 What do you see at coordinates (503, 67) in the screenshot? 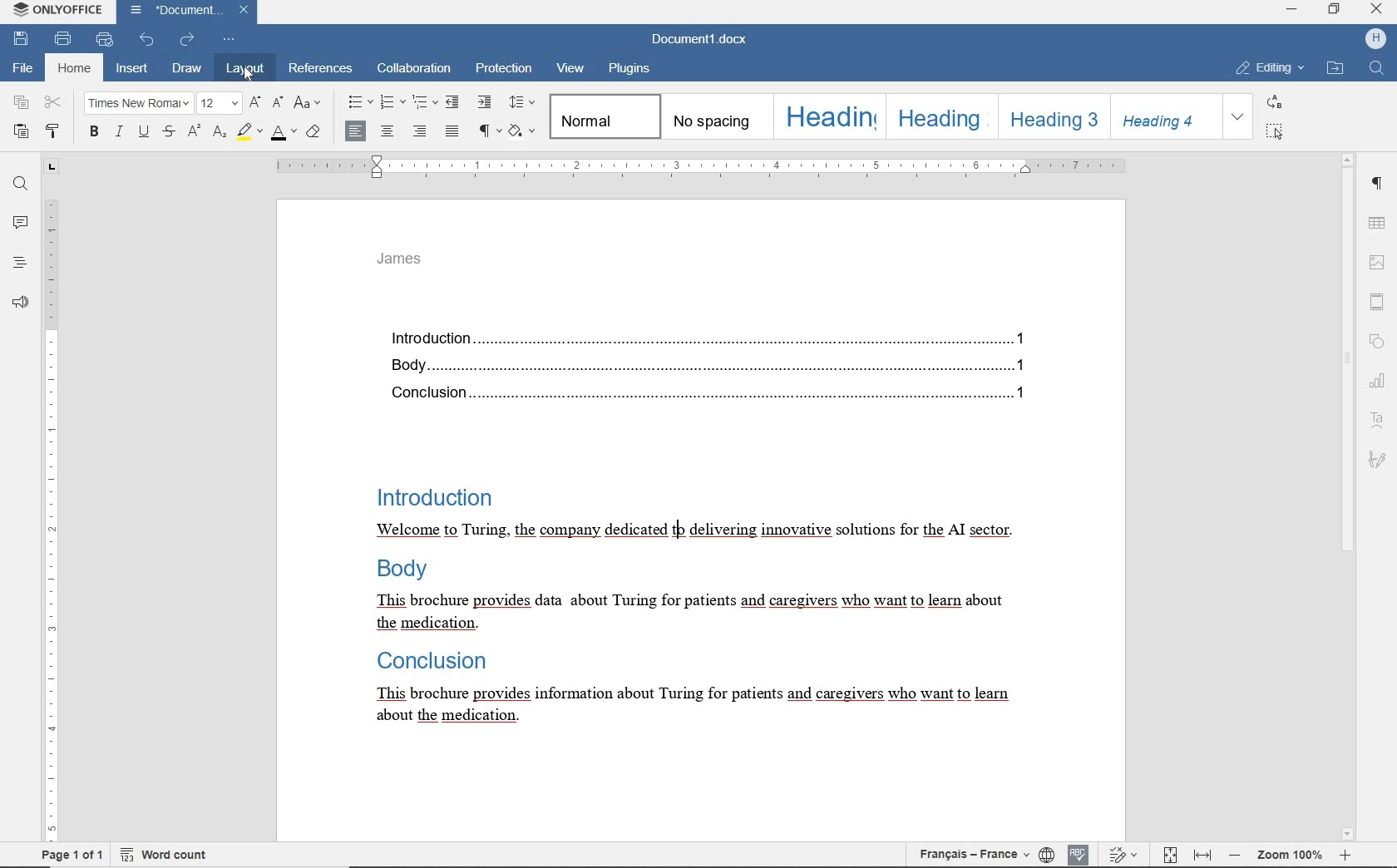
I see `protection` at bounding box center [503, 67].